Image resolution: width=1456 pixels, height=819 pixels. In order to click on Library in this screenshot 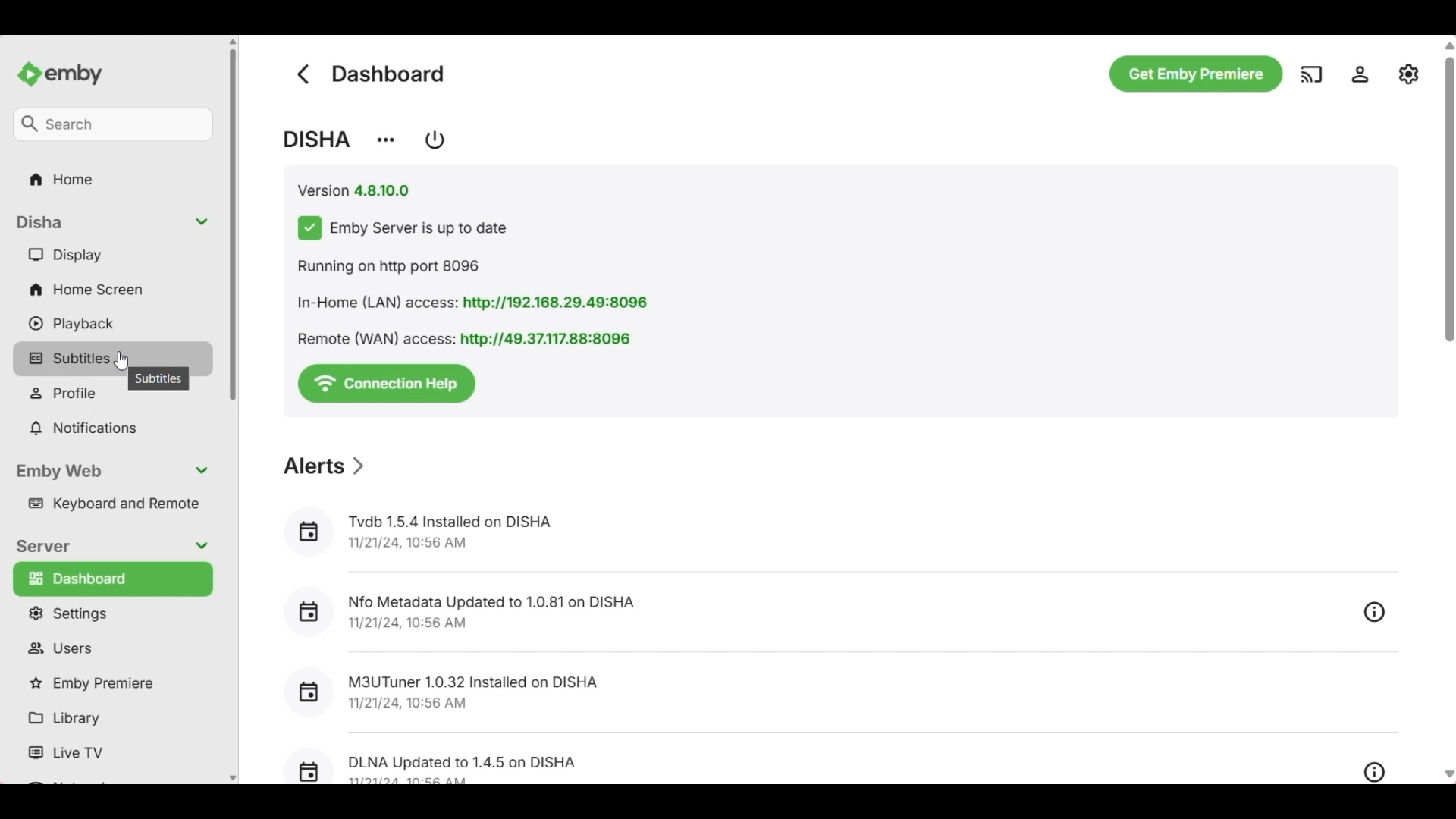, I will do `click(115, 720)`.